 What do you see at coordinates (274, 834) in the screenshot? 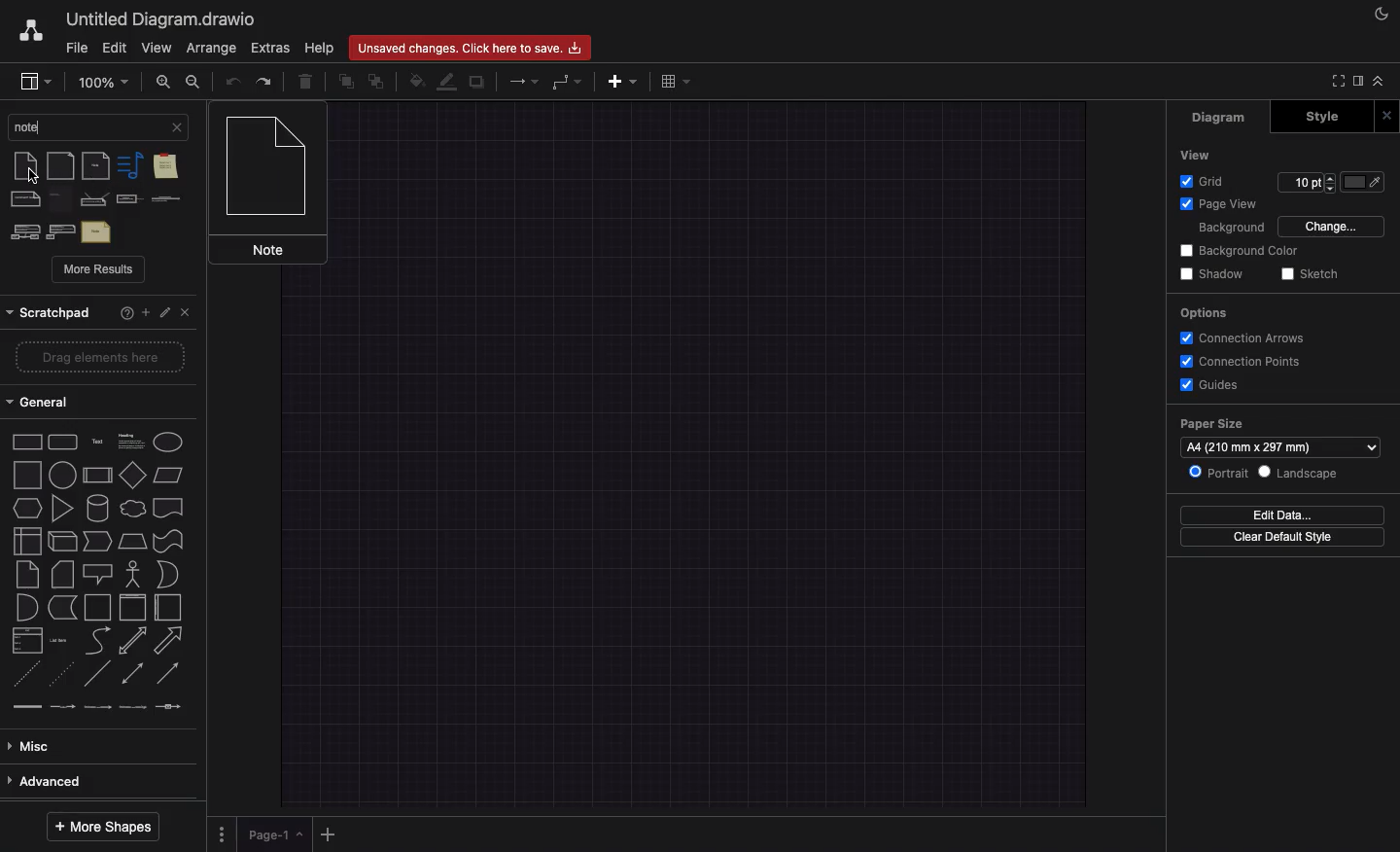
I see `Page 1` at bounding box center [274, 834].